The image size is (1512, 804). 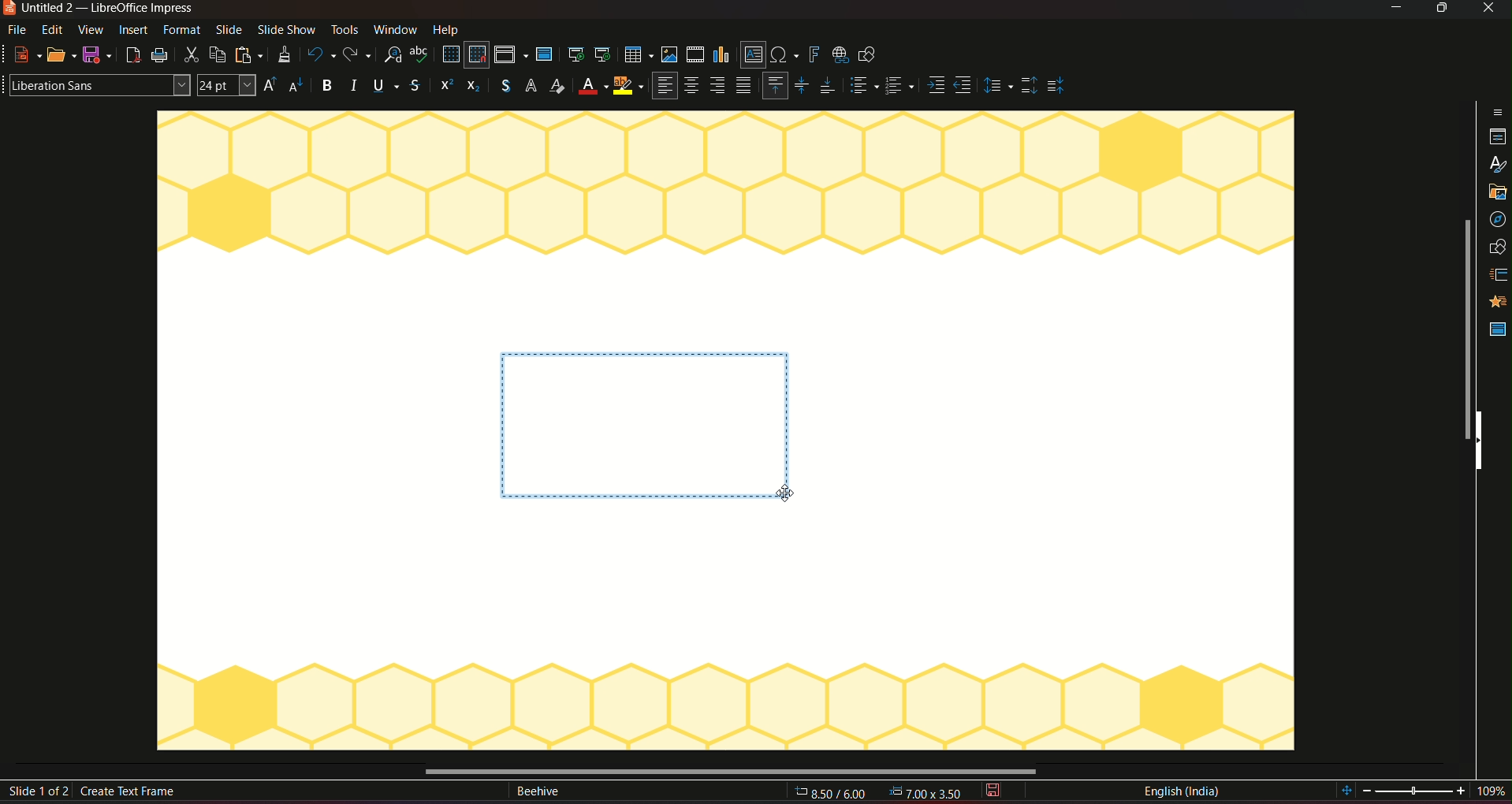 I want to click on file, so click(x=20, y=31).